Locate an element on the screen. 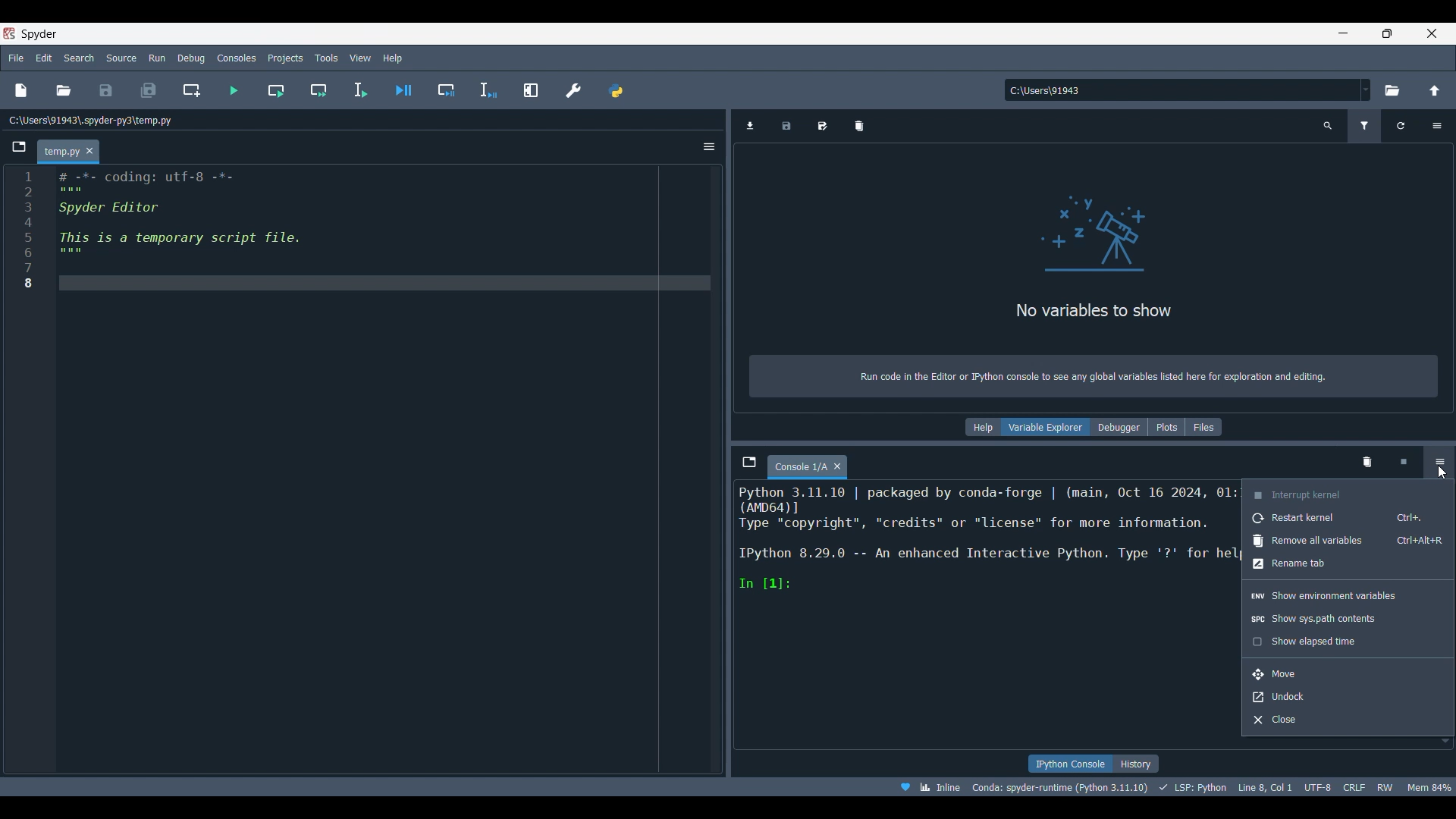  Save data is located at coordinates (787, 126).